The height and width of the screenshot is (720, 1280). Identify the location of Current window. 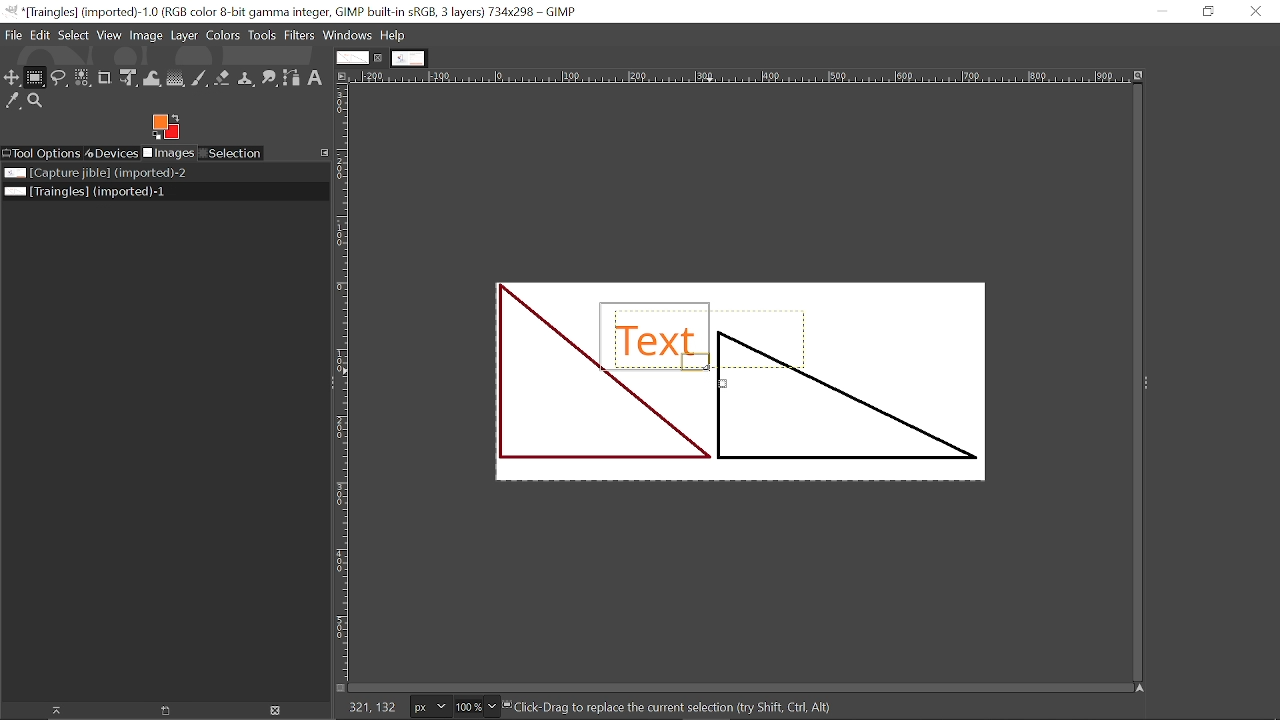
(294, 12).